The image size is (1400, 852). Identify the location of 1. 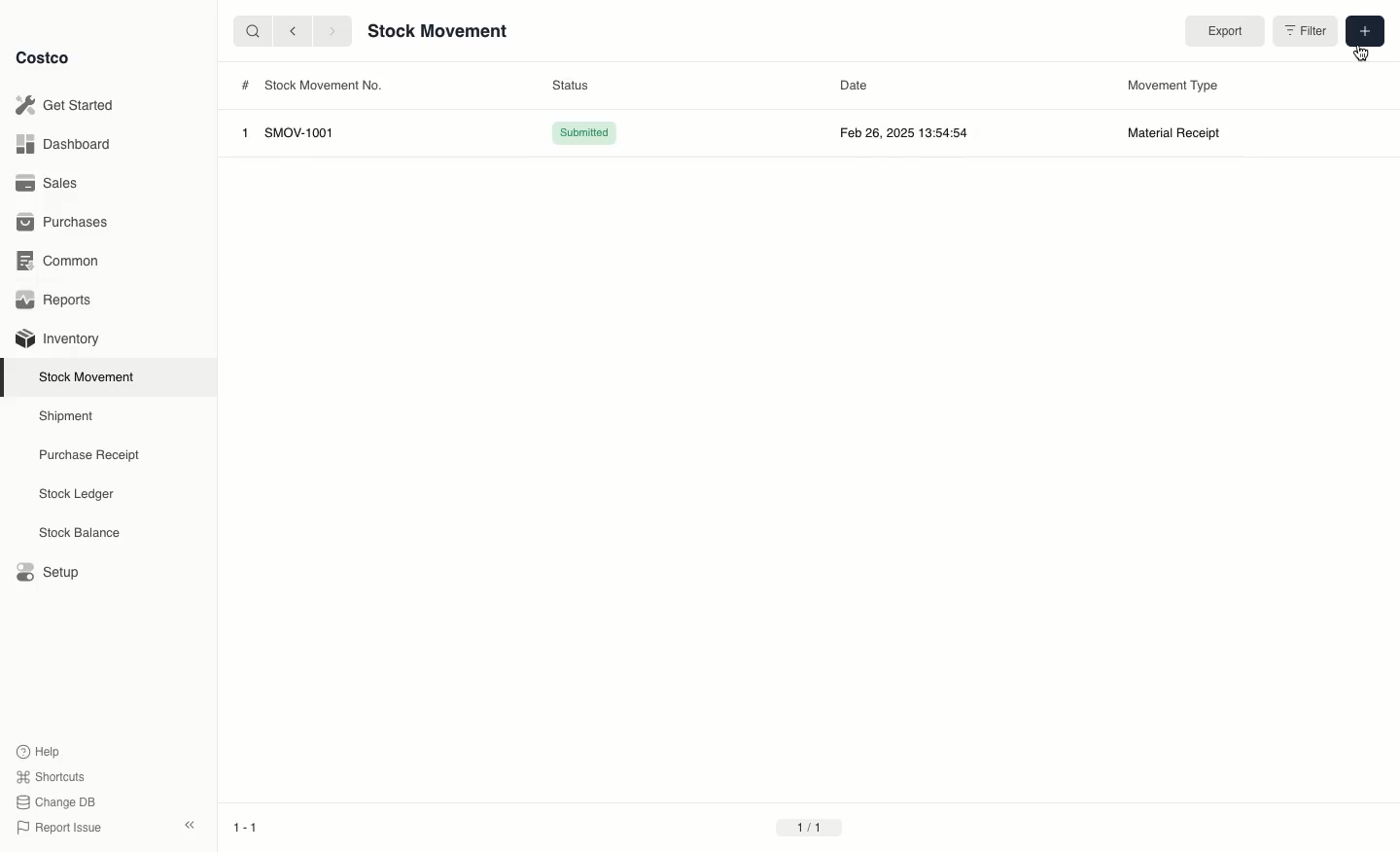
(244, 132).